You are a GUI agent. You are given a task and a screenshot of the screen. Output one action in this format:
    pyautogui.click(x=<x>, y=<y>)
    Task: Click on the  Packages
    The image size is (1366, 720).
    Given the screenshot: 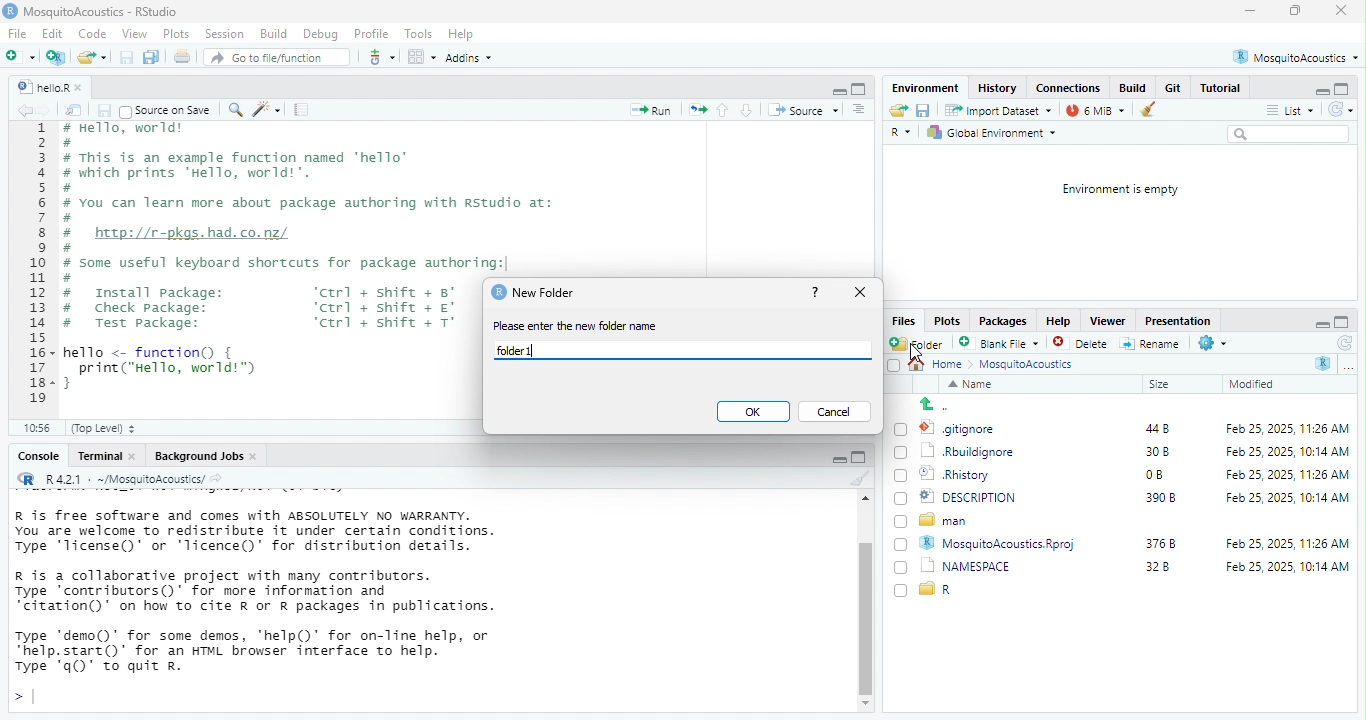 What is the action you would take?
    pyautogui.click(x=1004, y=320)
    